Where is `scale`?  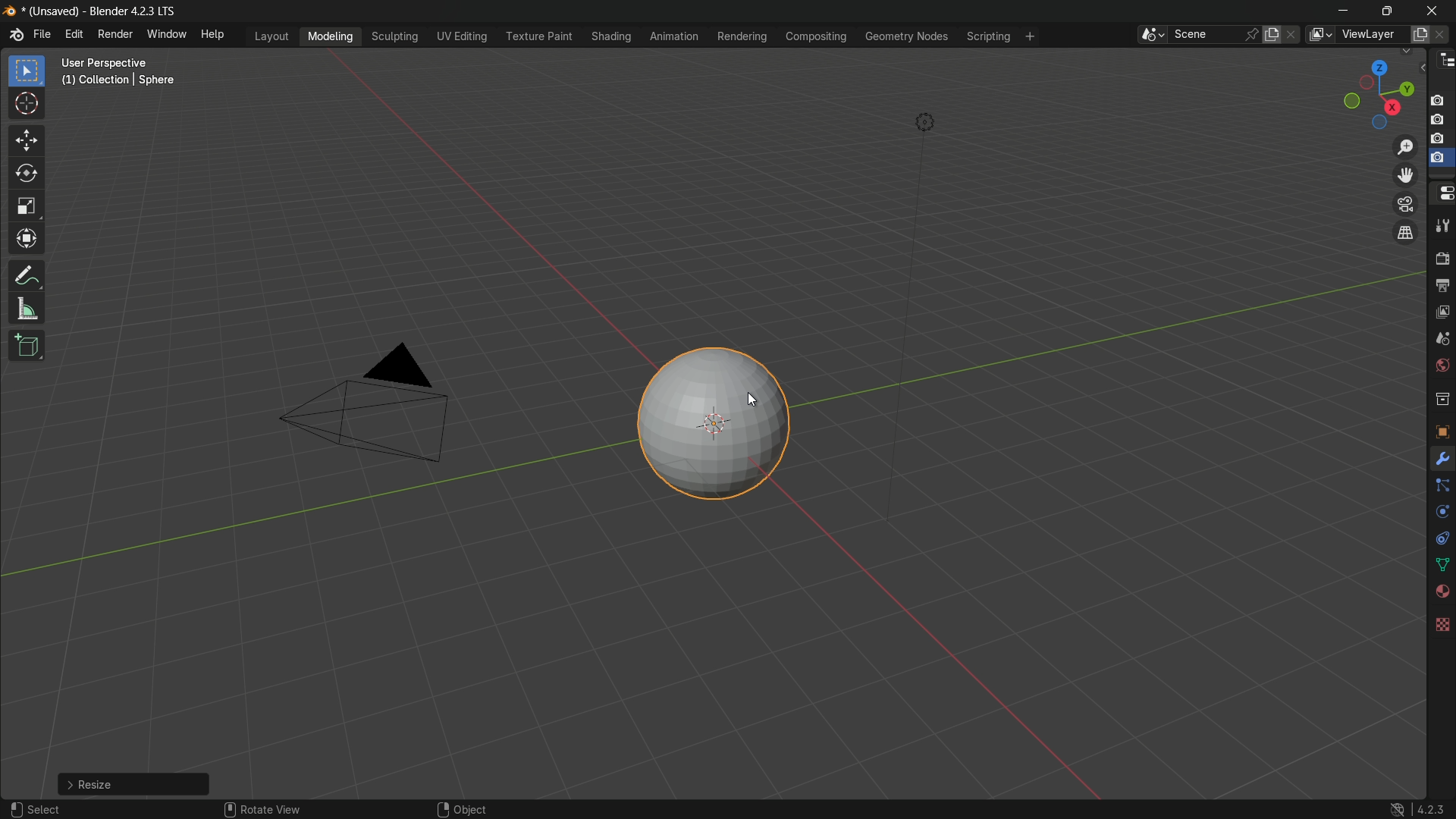 scale is located at coordinates (26, 208).